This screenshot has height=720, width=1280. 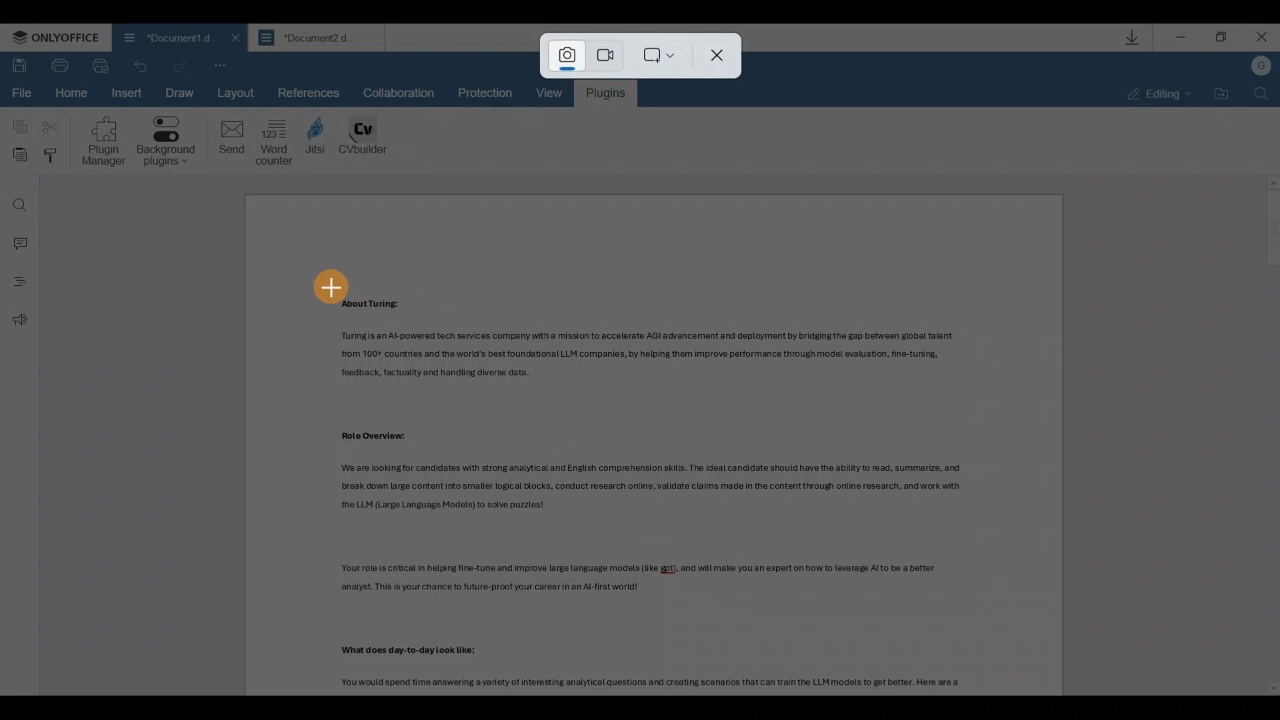 What do you see at coordinates (318, 40) in the screenshot?
I see `Document2 d...` at bounding box center [318, 40].